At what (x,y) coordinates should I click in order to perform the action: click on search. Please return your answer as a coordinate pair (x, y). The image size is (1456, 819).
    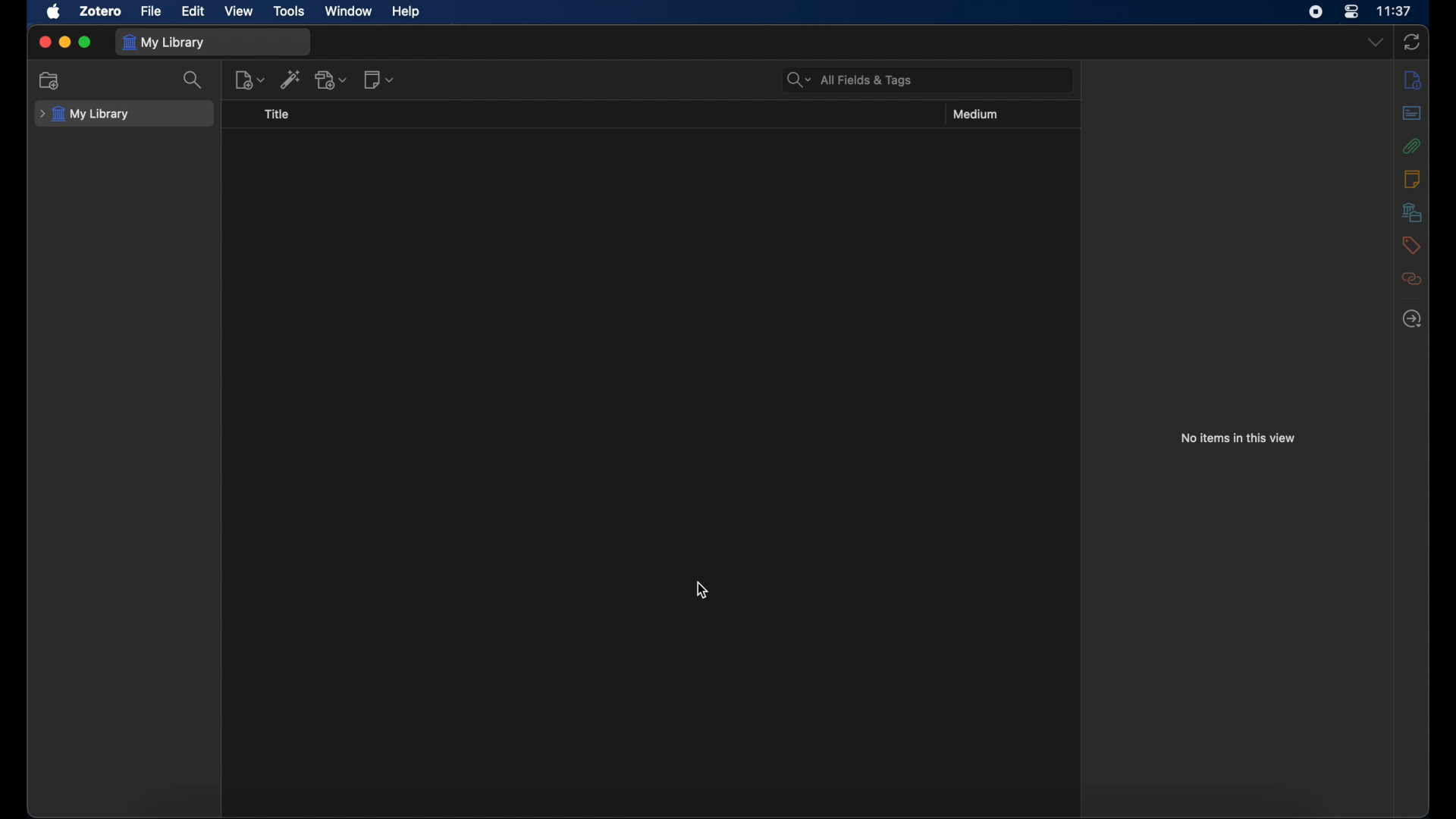
    Looking at the image, I should click on (196, 80).